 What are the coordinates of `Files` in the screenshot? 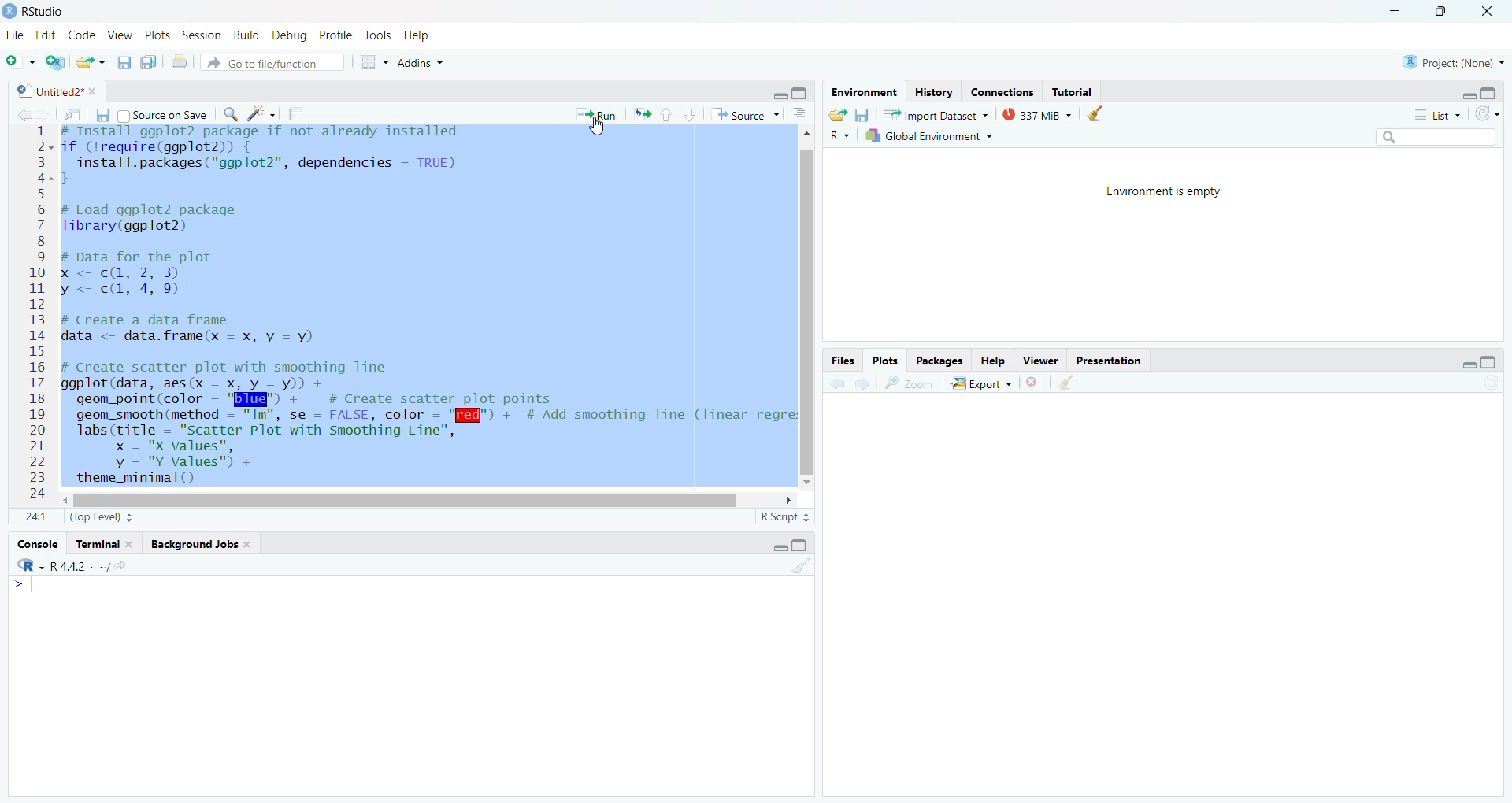 It's located at (840, 361).